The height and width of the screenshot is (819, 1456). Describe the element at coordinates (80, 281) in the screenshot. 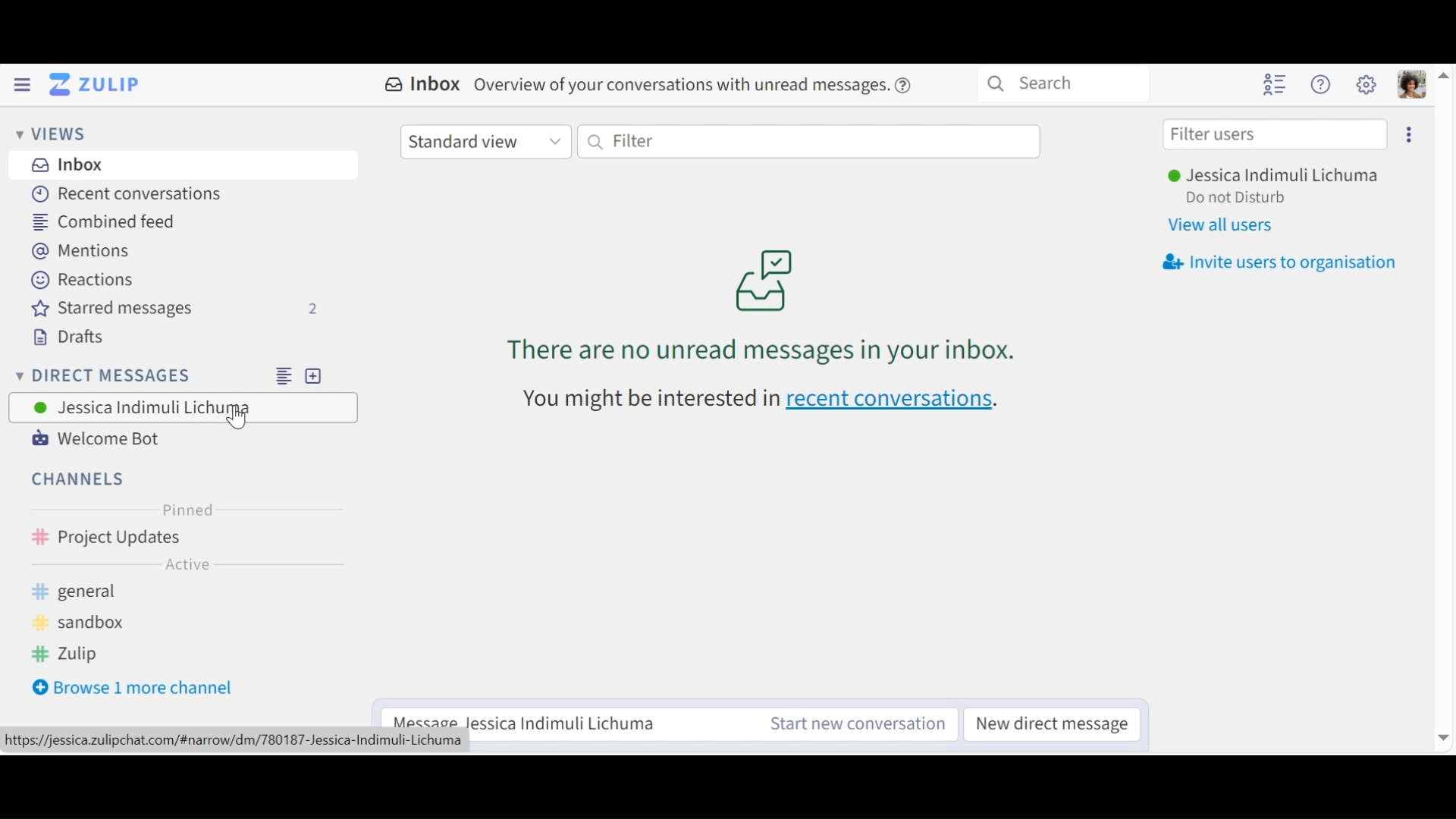

I see `Reactions` at that location.